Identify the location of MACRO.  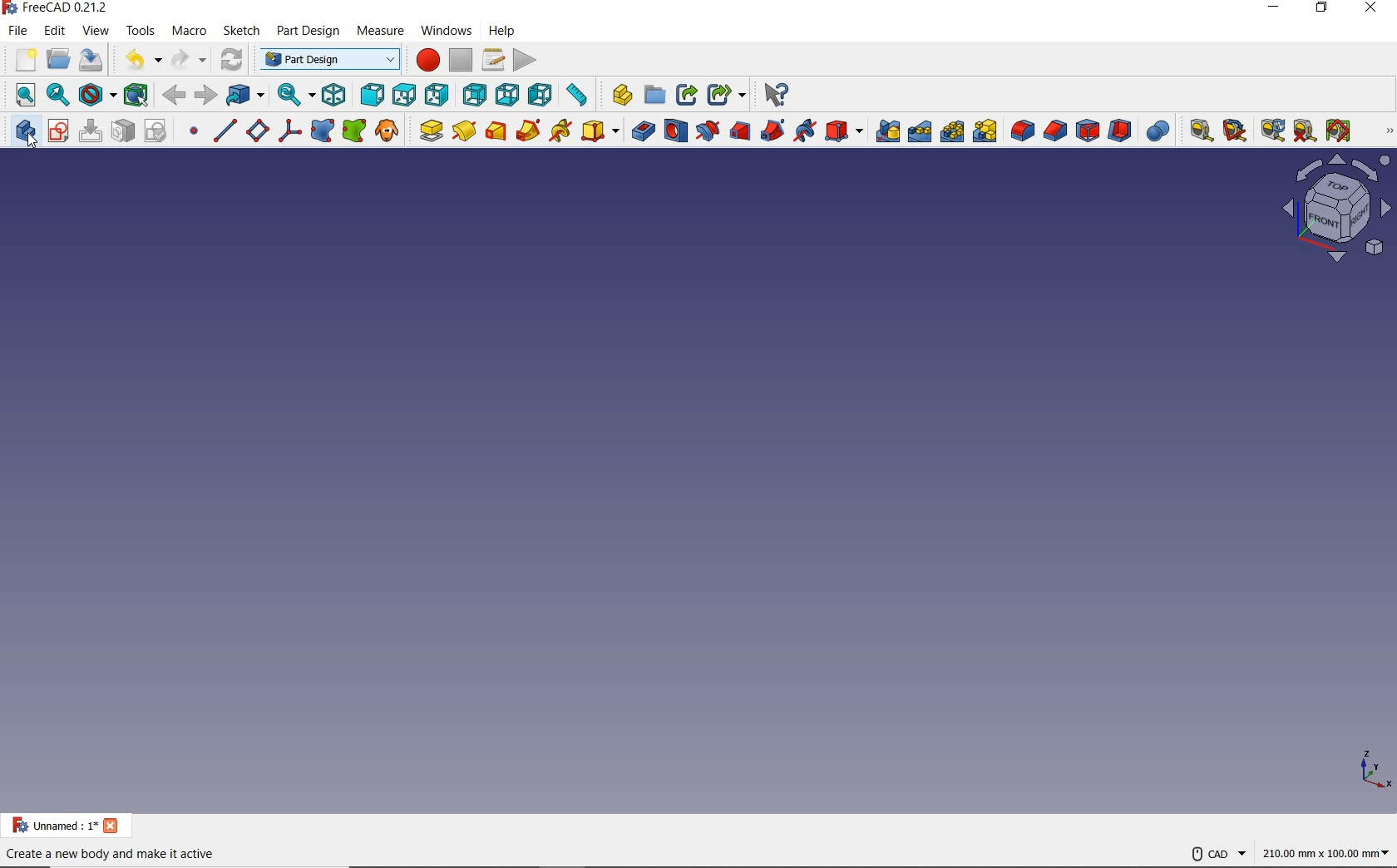
(189, 31).